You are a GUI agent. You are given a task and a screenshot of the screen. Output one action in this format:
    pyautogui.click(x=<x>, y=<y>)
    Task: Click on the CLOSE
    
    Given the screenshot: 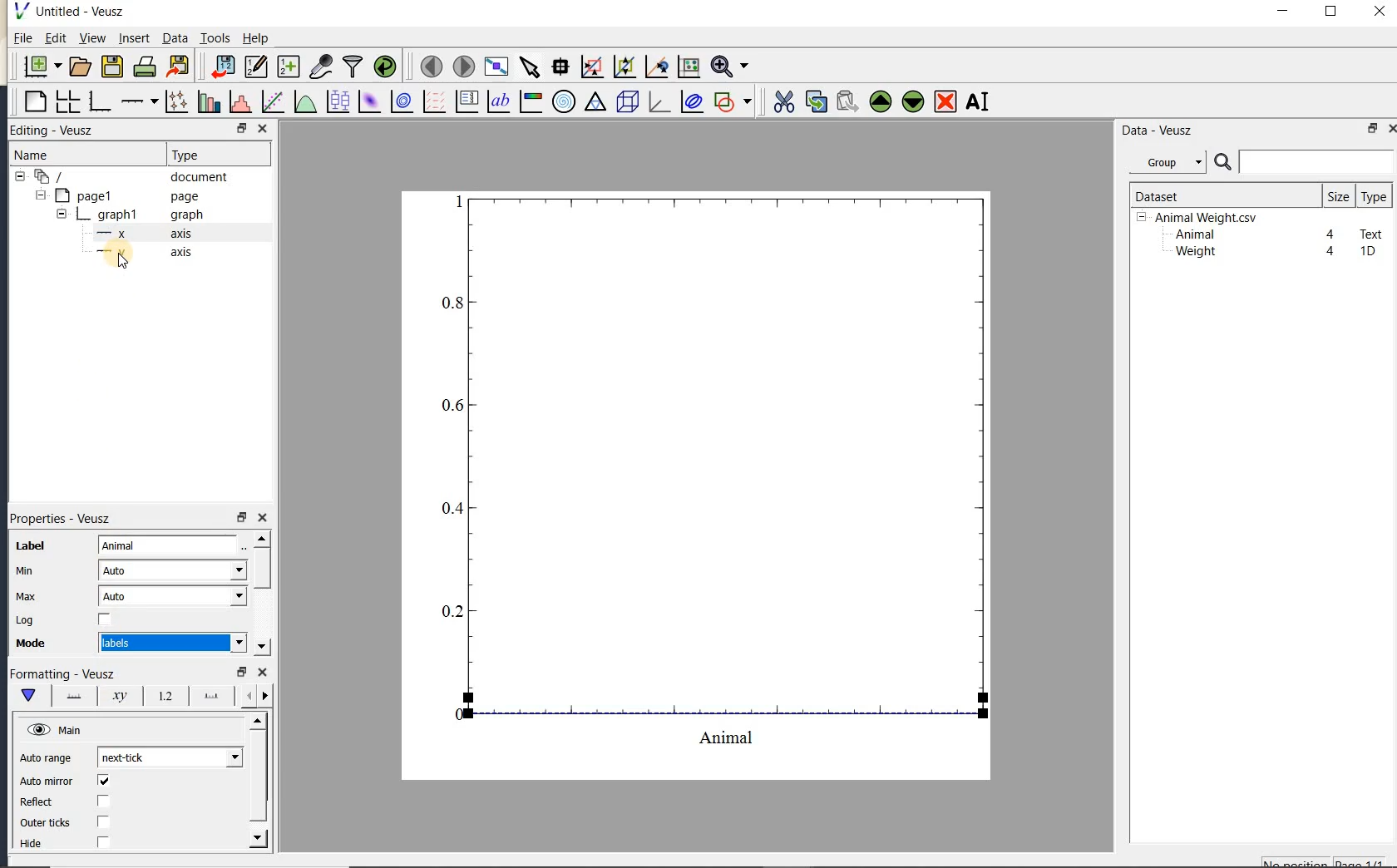 What is the action you would take?
    pyautogui.click(x=262, y=128)
    